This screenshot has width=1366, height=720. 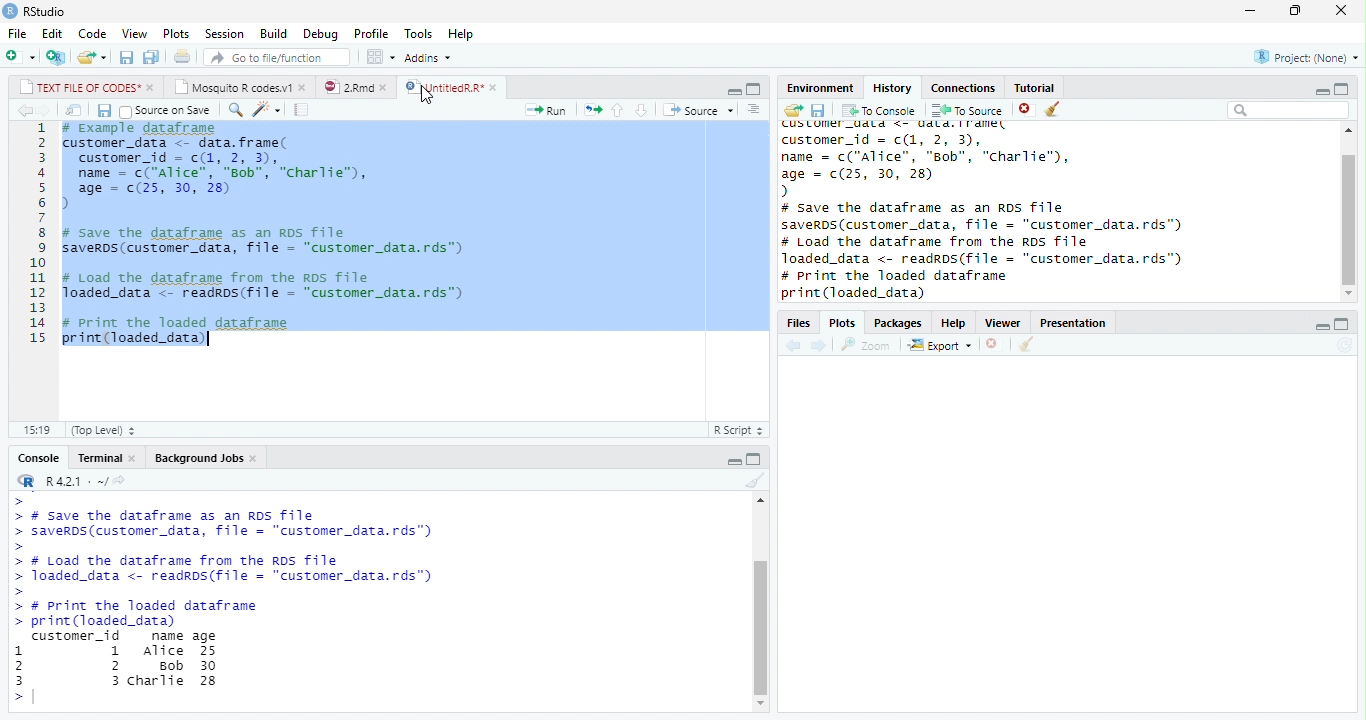 I want to click on Project(None), so click(x=1307, y=57).